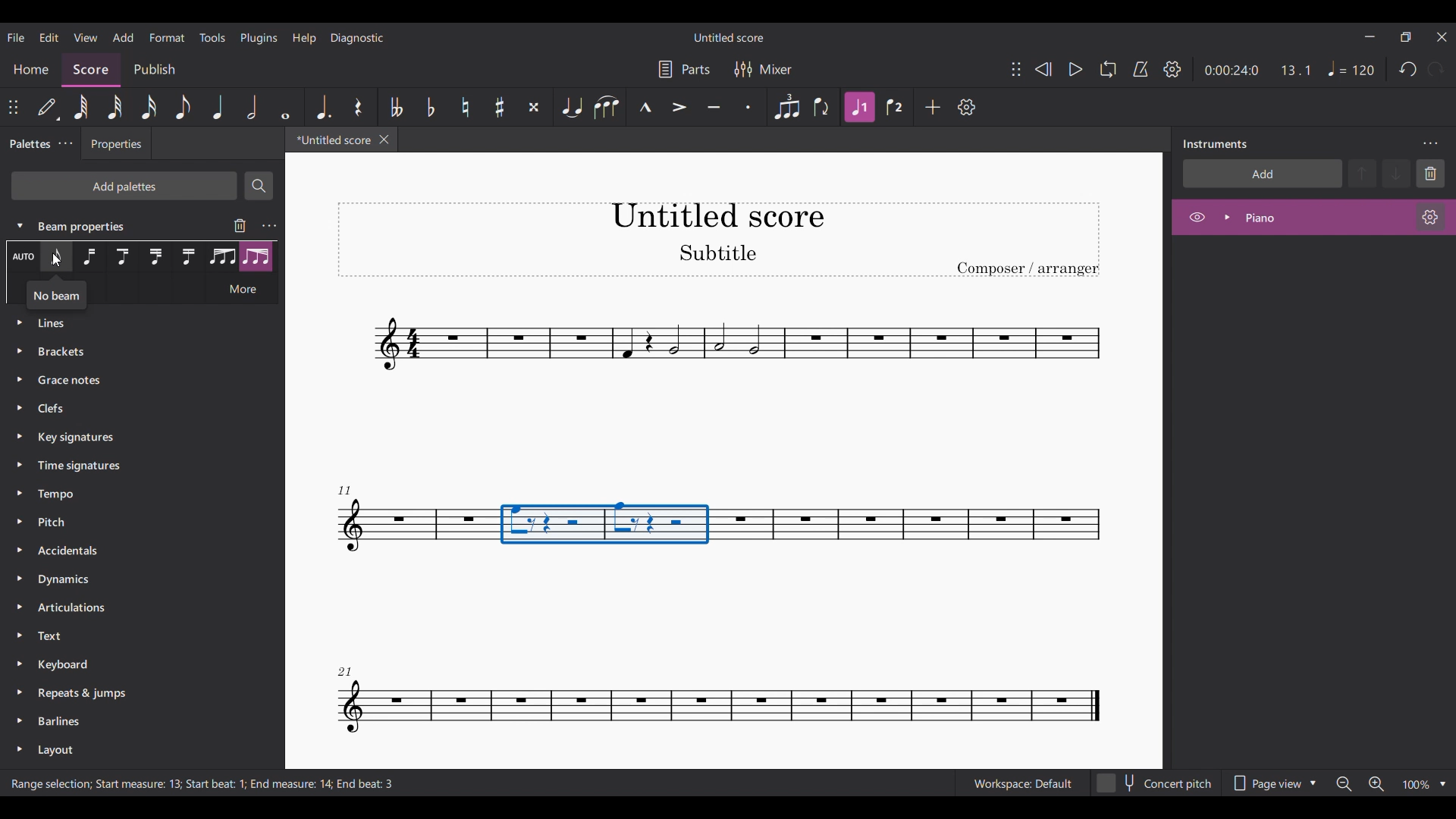 The image size is (1456, 819). What do you see at coordinates (132, 409) in the screenshot?
I see `Clefs` at bounding box center [132, 409].